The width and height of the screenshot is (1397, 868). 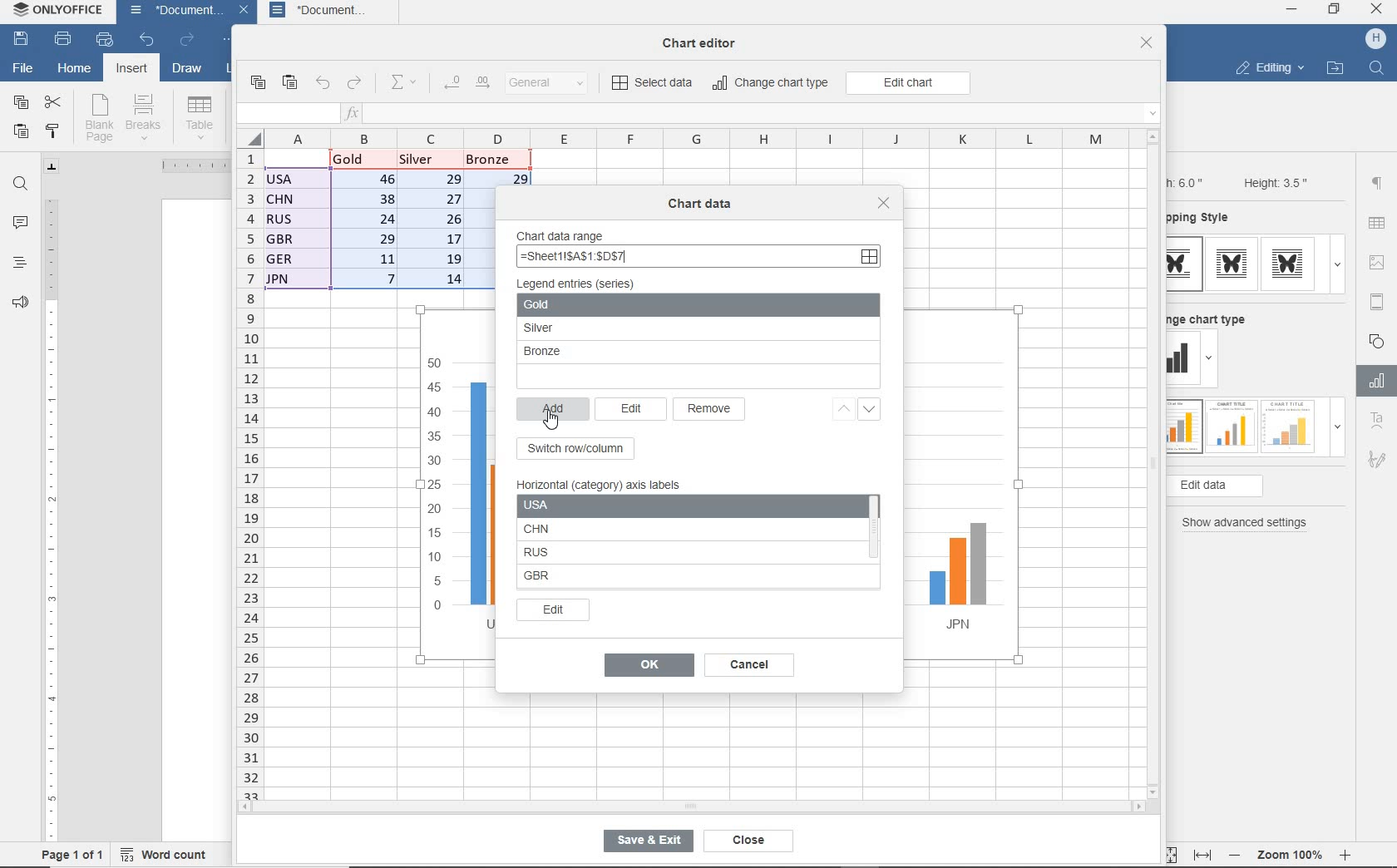 What do you see at coordinates (51, 513) in the screenshot?
I see `ruler` at bounding box center [51, 513].